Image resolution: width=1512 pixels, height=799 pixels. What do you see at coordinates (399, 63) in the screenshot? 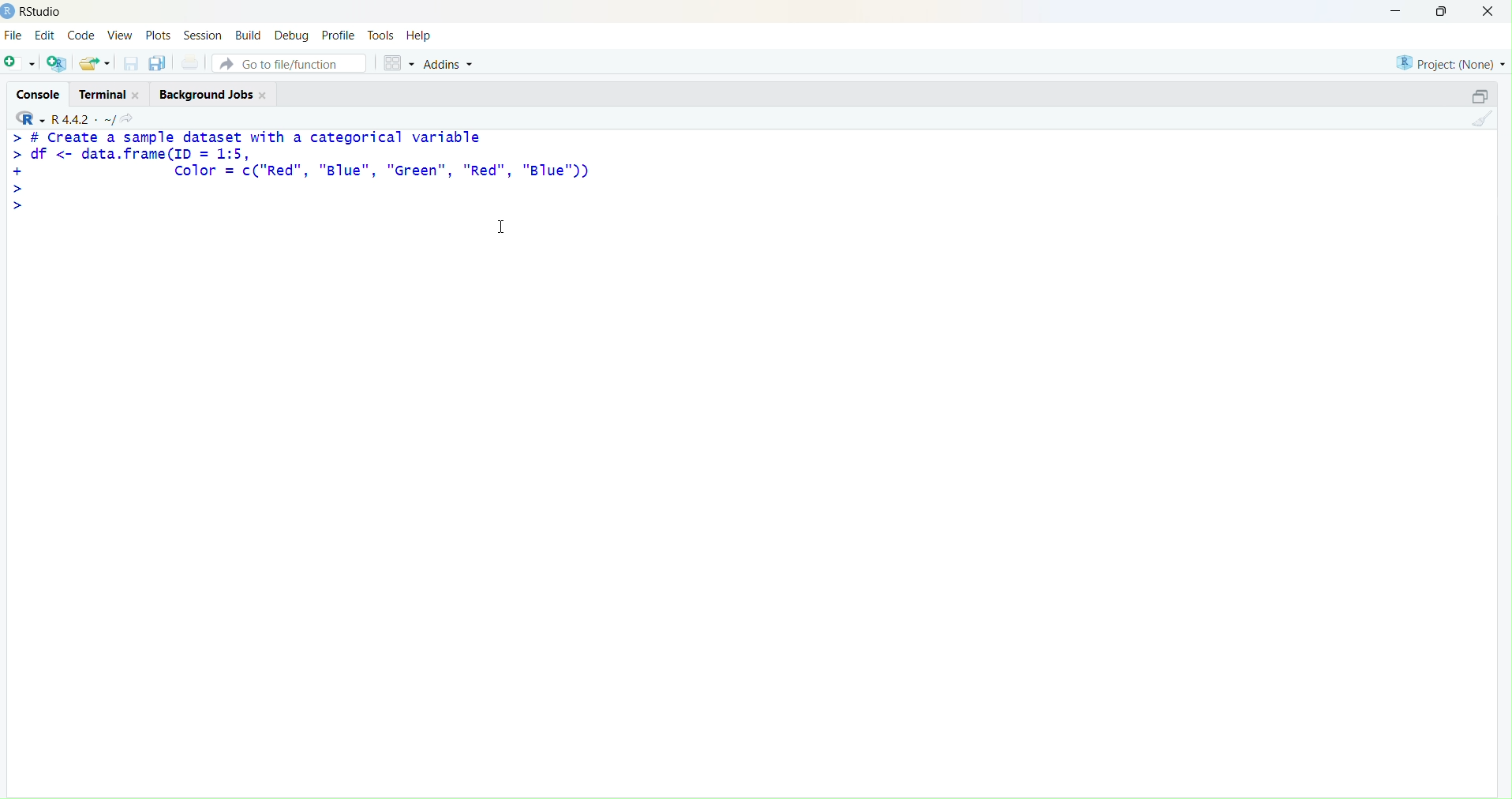
I see `grid` at bounding box center [399, 63].